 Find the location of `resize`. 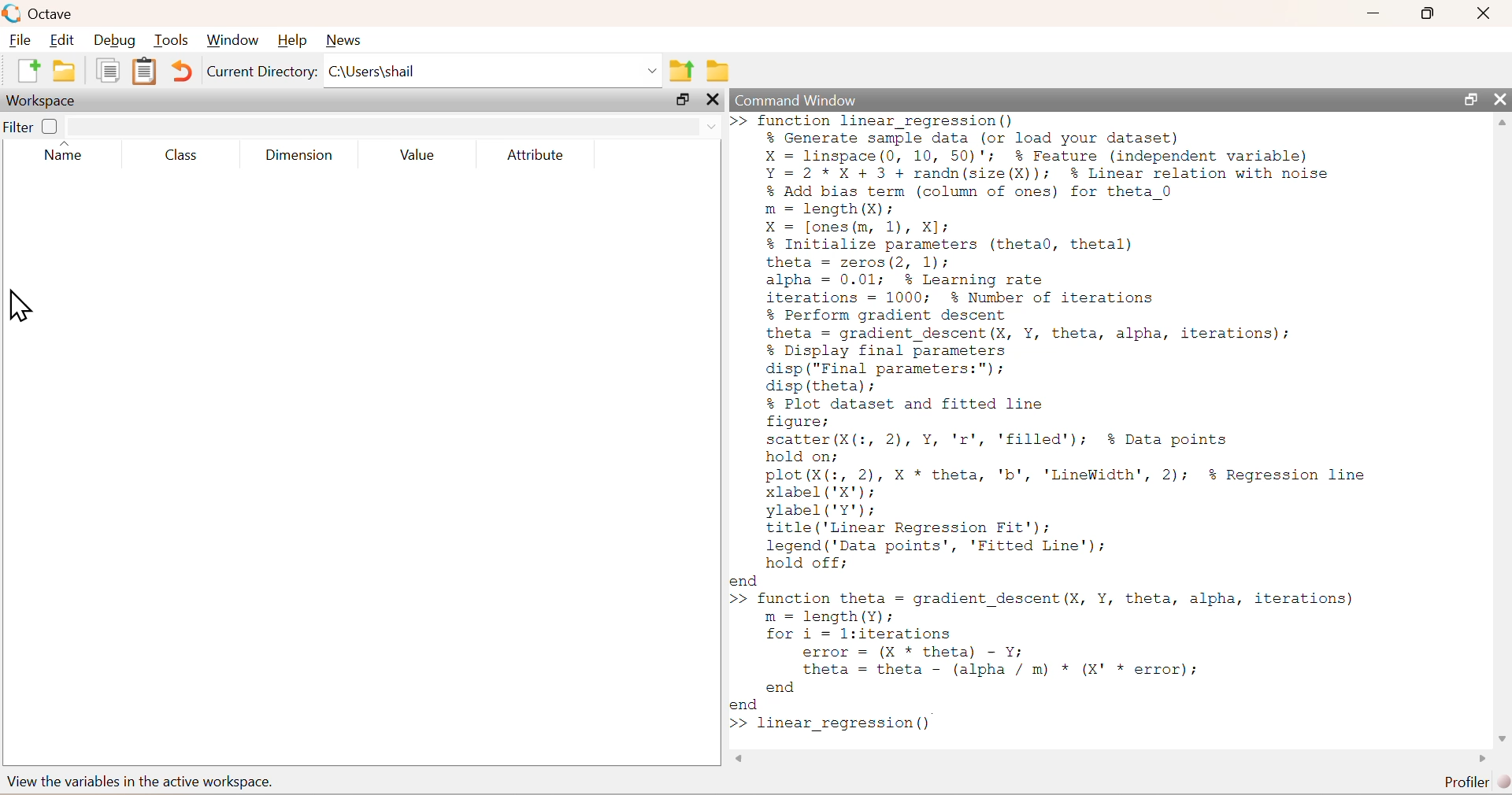

resize is located at coordinates (684, 99).